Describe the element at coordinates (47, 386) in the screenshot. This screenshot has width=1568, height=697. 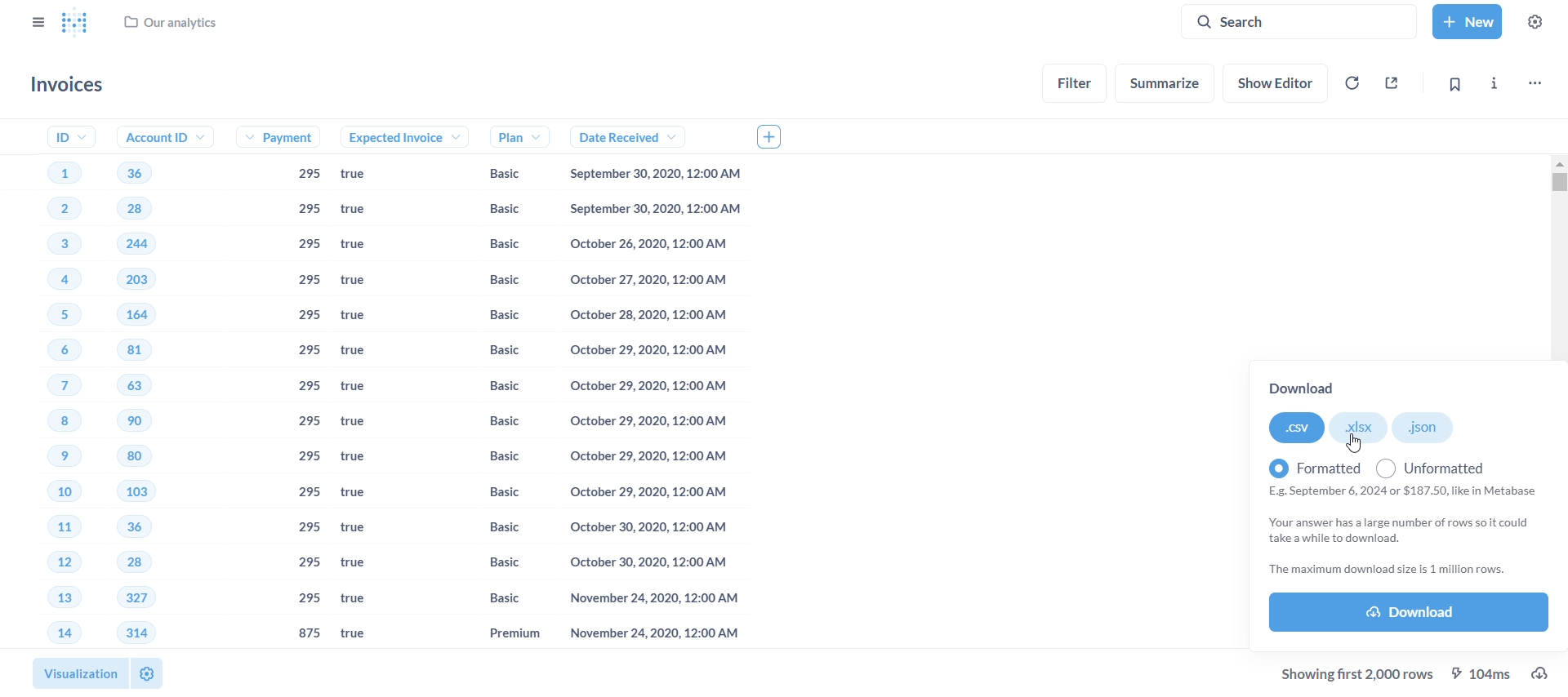
I see `7` at that location.